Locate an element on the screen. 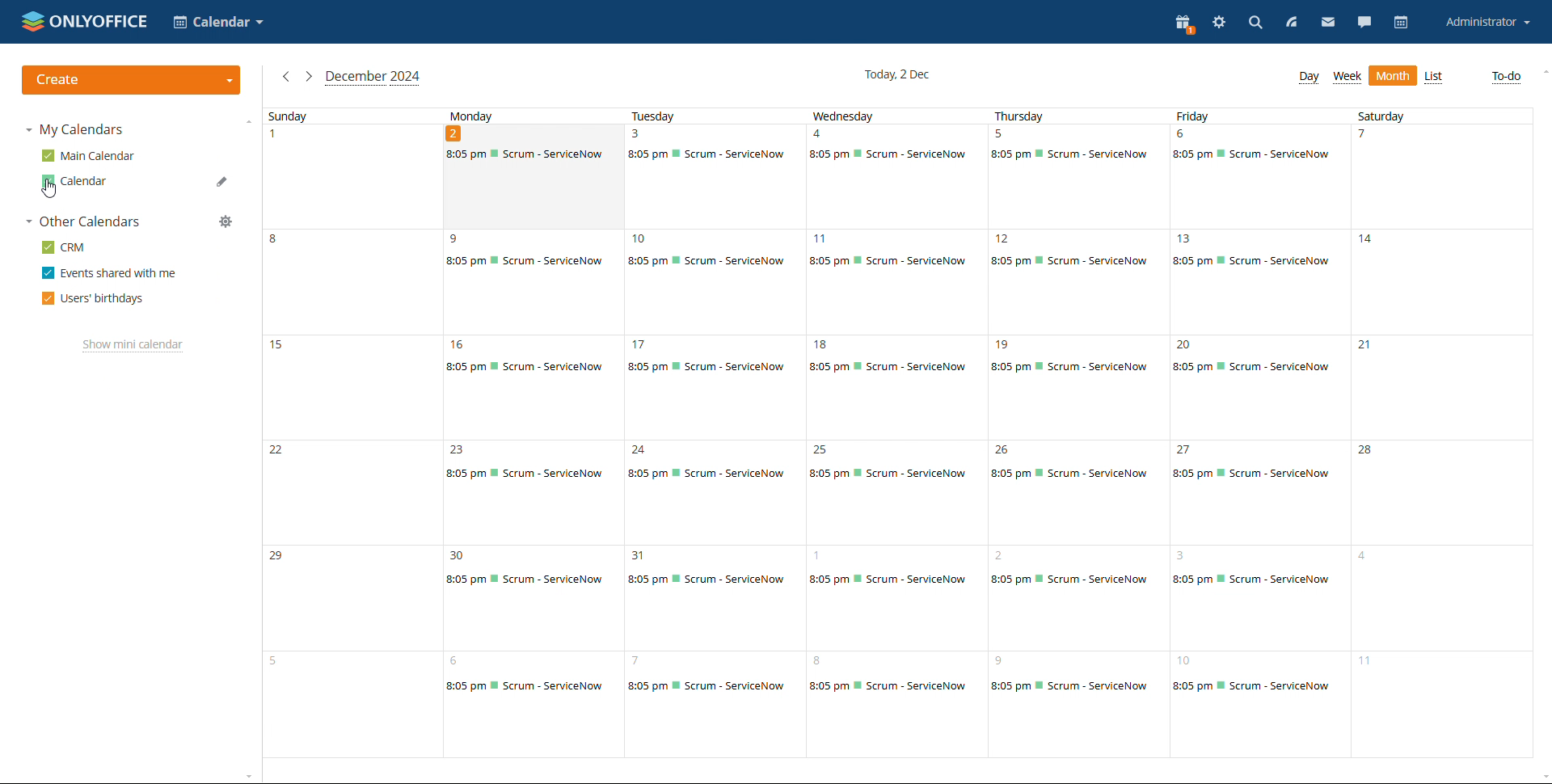 The height and width of the screenshot is (784, 1552). users' birthdays is located at coordinates (95, 297).